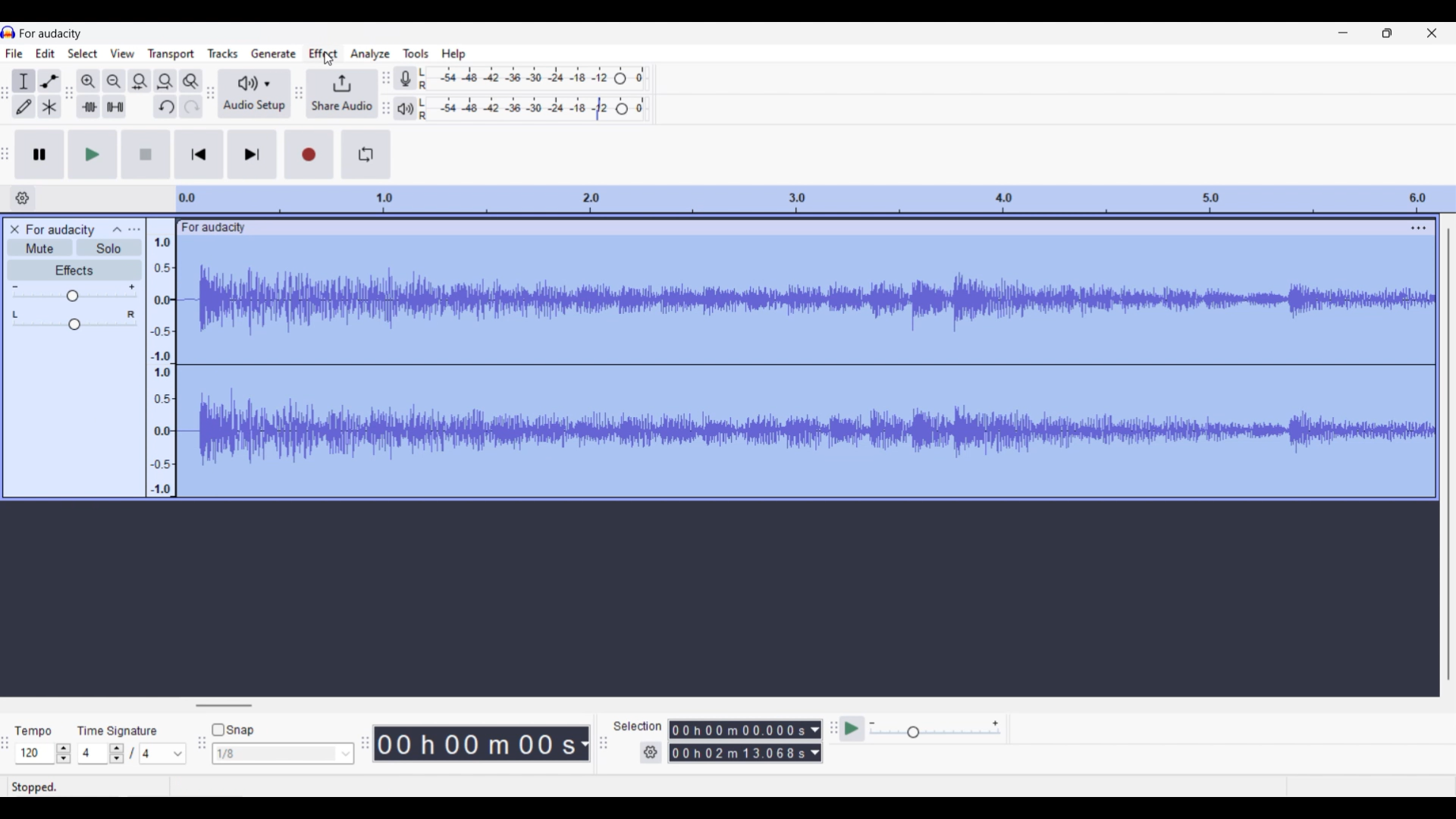 Image resolution: width=1456 pixels, height=819 pixels. I want to click on Generate, so click(273, 52).